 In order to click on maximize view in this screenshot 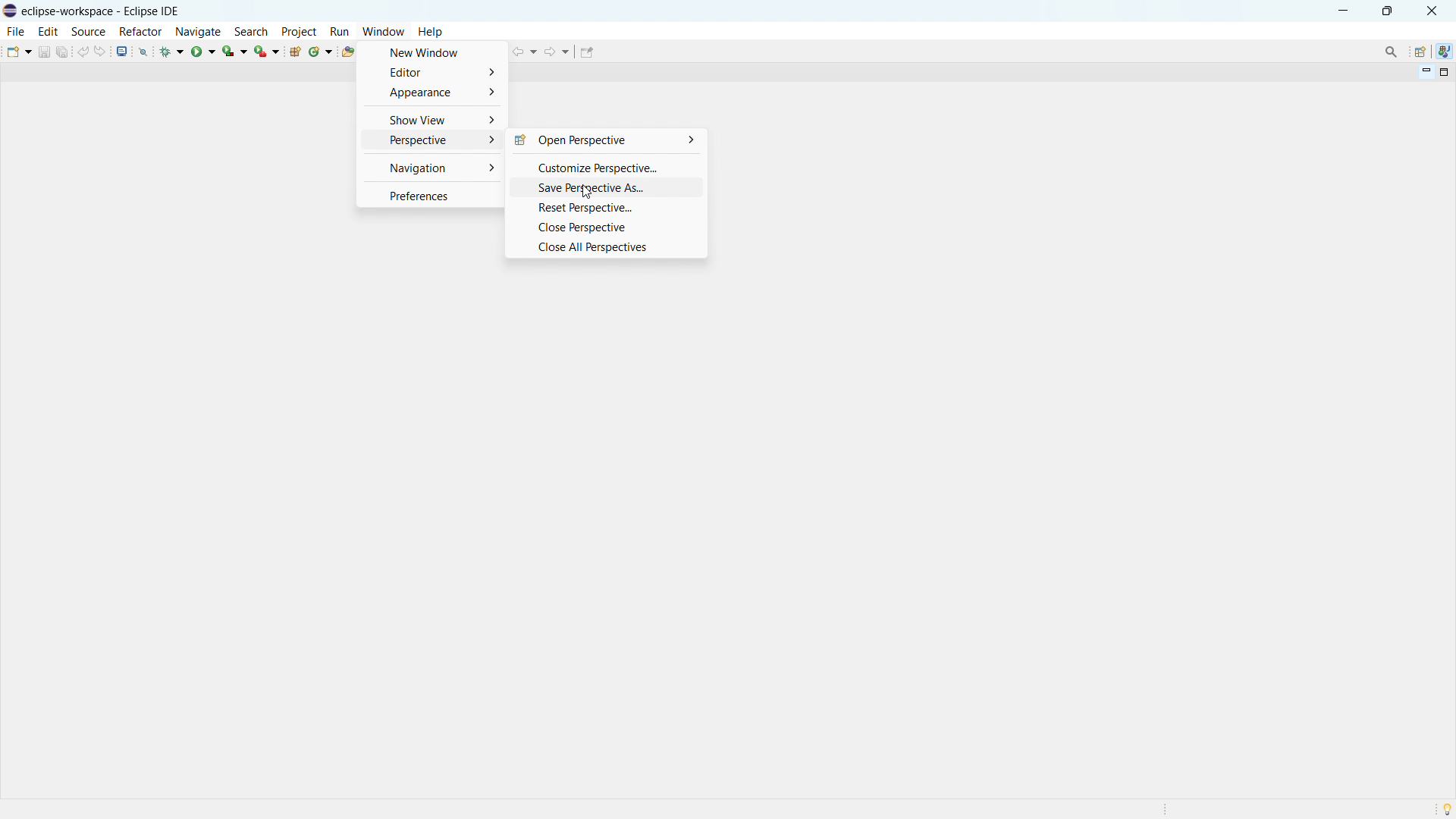, I will do `click(1442, 73)`.